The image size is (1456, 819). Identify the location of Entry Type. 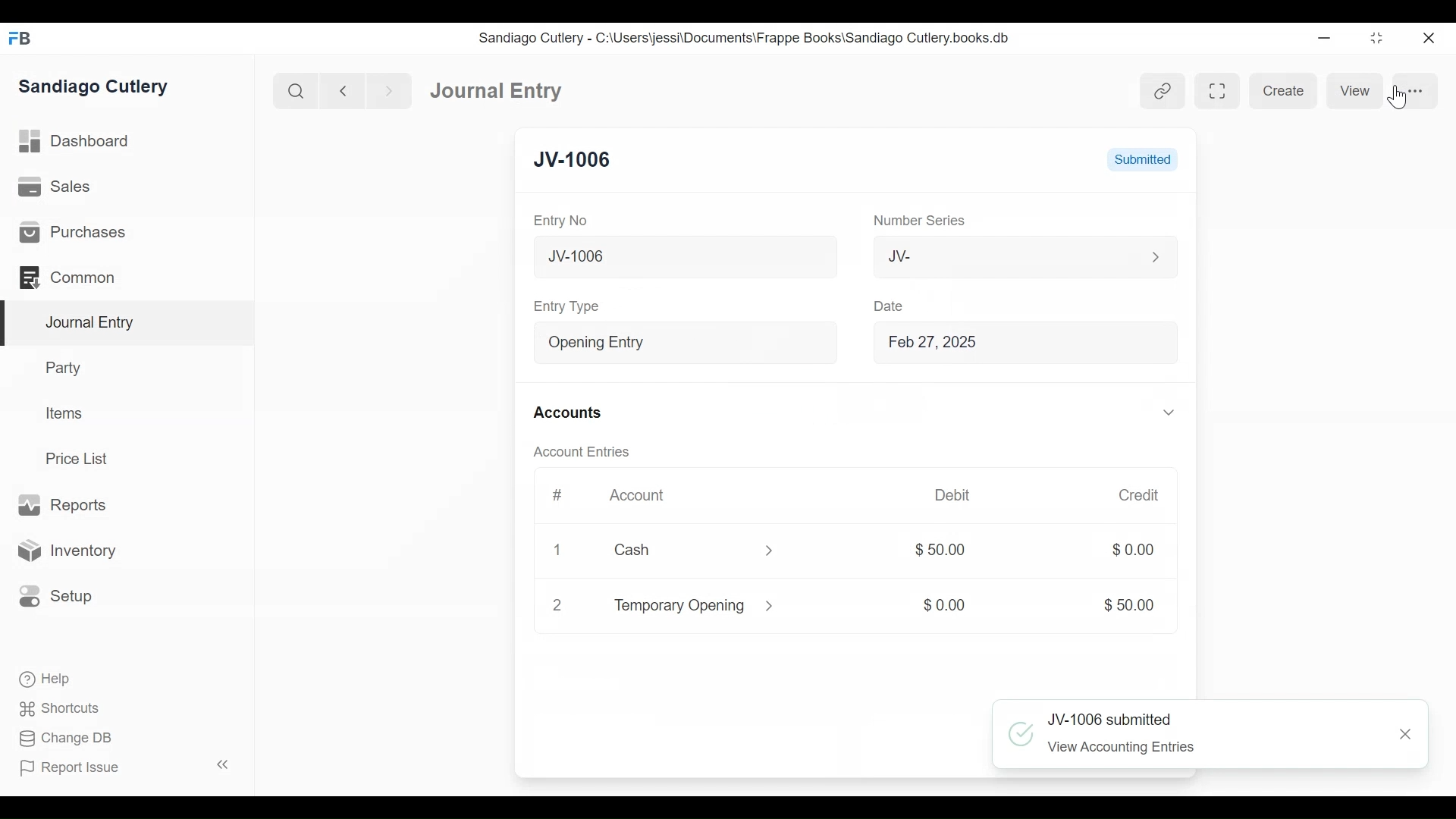
(570, 307).